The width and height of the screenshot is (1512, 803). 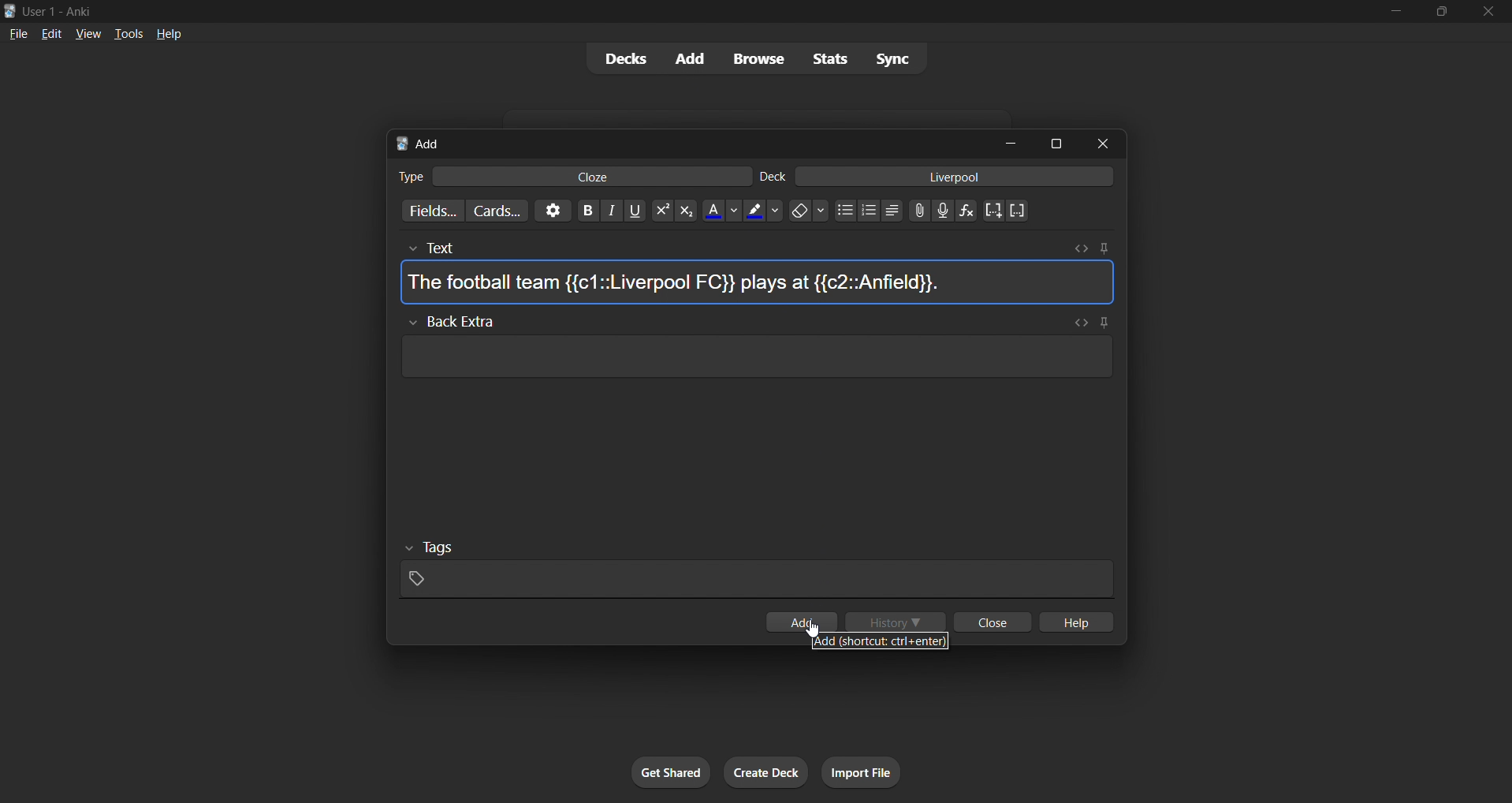 What do you see at coordinates (426, 143) in the screenshot?
I see `Add` at bounding box center [426, 143].